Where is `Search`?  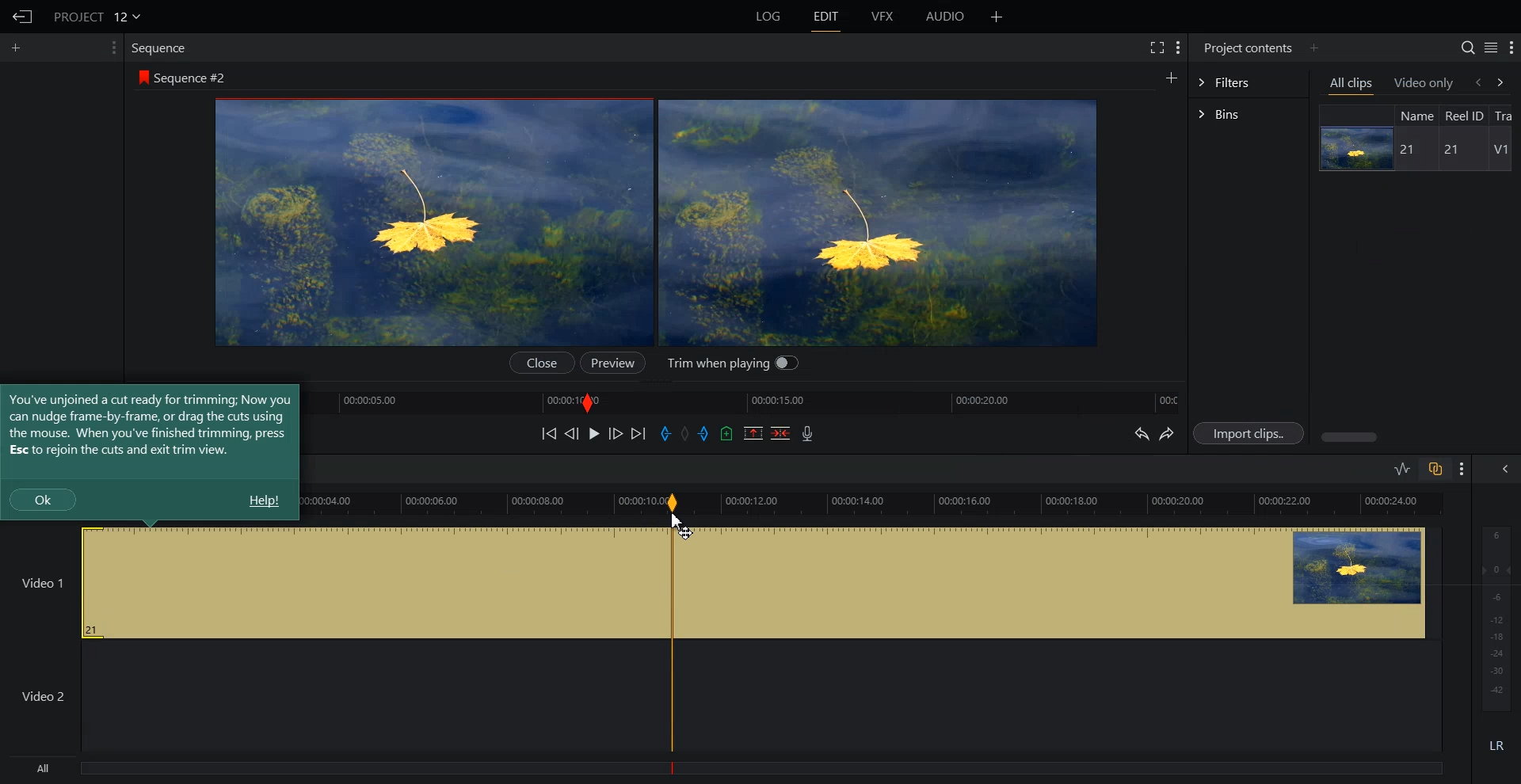 Search is located at coordinates (1468, 48).